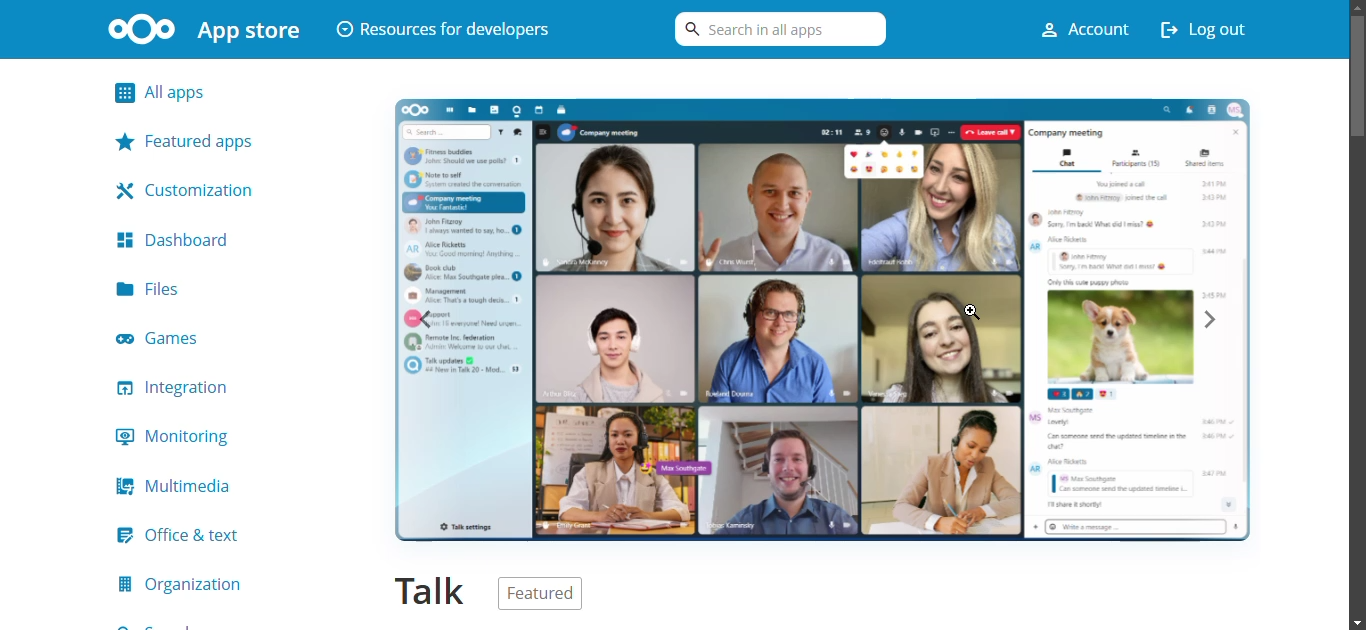 The height and width of the screenshot is (630, 1366). Describe the element at coordinates (153, 288) in the screenshot. I see `files` at that location.